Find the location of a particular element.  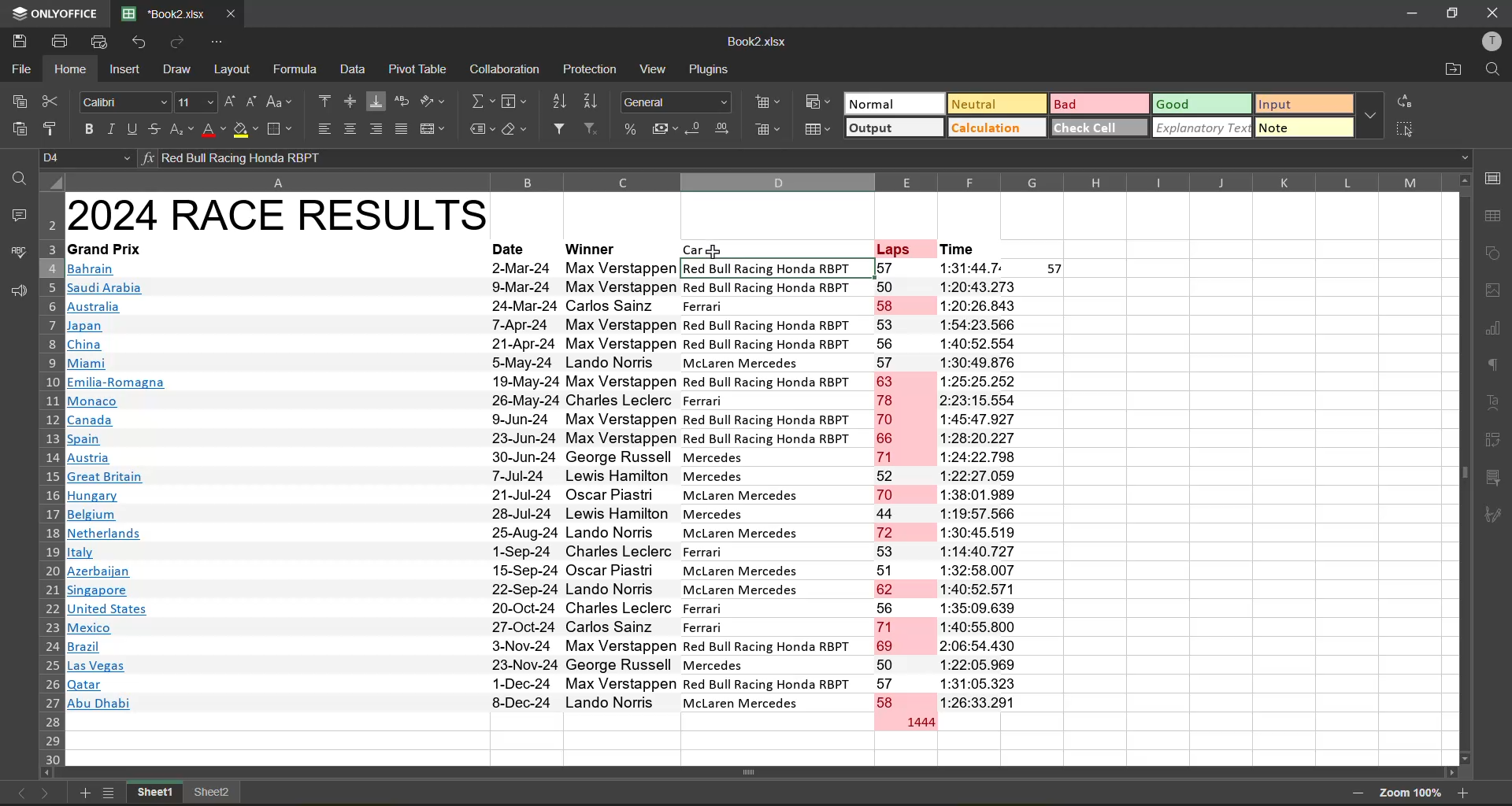

Drop down is located at coordinates (1460, 157).